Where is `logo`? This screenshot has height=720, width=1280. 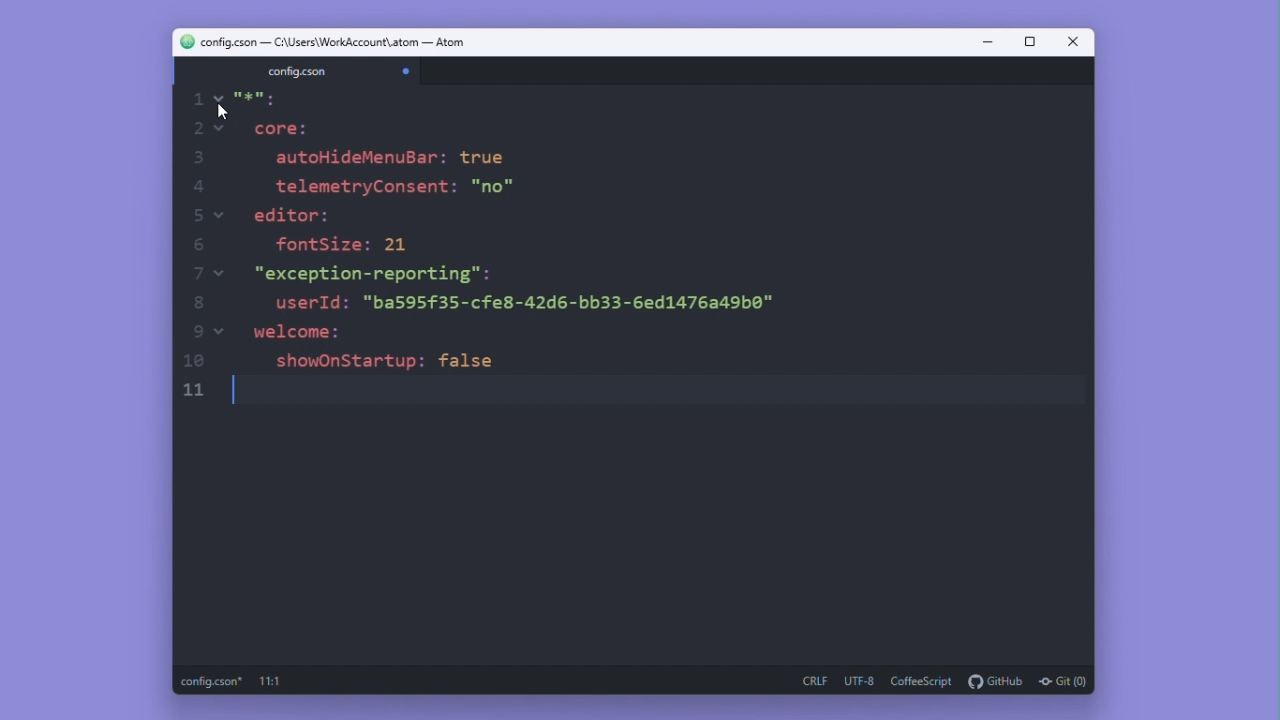
logo is located at coordinates (182, 42).